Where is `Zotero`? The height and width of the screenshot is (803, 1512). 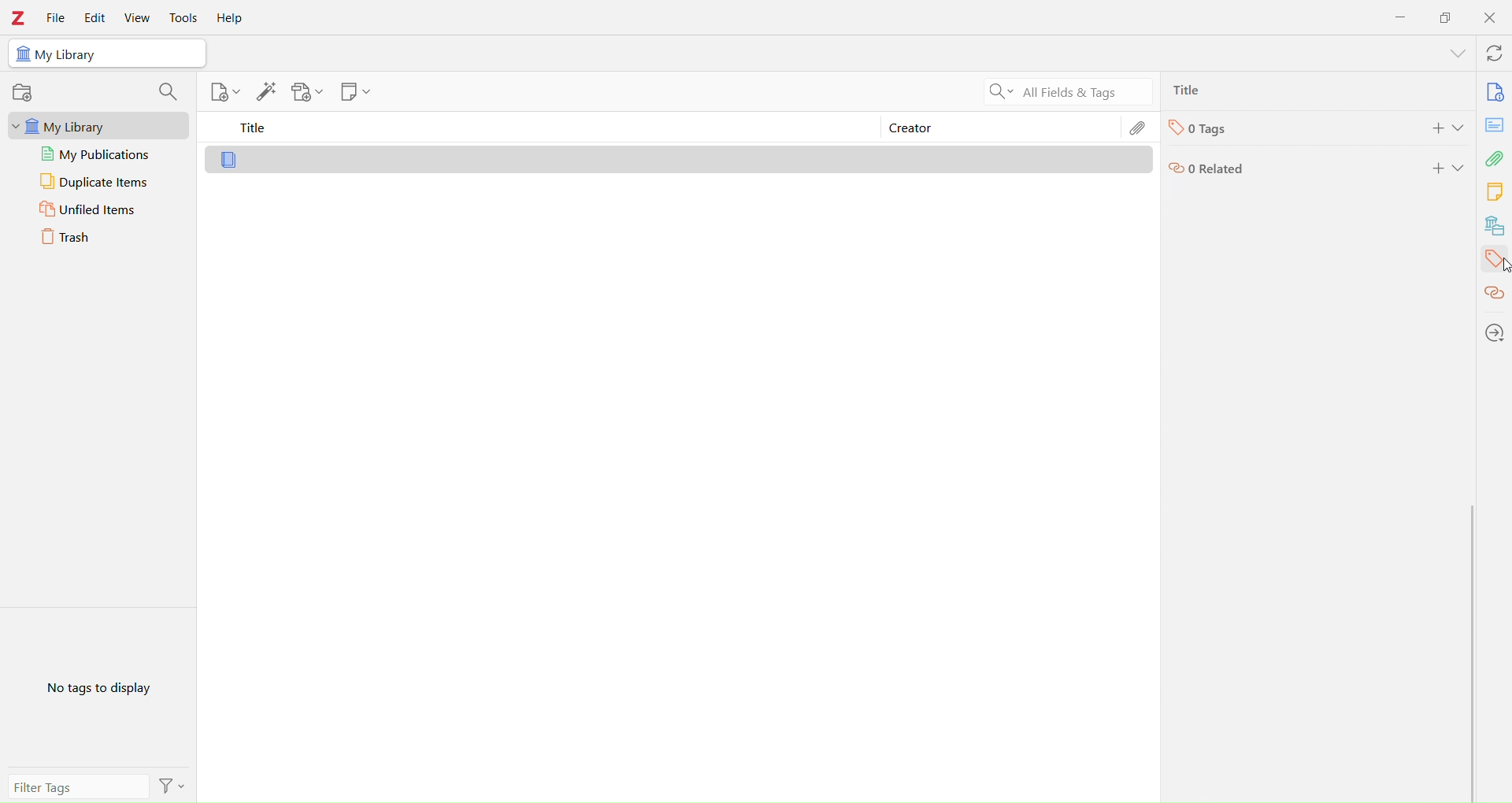
Zotero is located at coordinates (19, 18).